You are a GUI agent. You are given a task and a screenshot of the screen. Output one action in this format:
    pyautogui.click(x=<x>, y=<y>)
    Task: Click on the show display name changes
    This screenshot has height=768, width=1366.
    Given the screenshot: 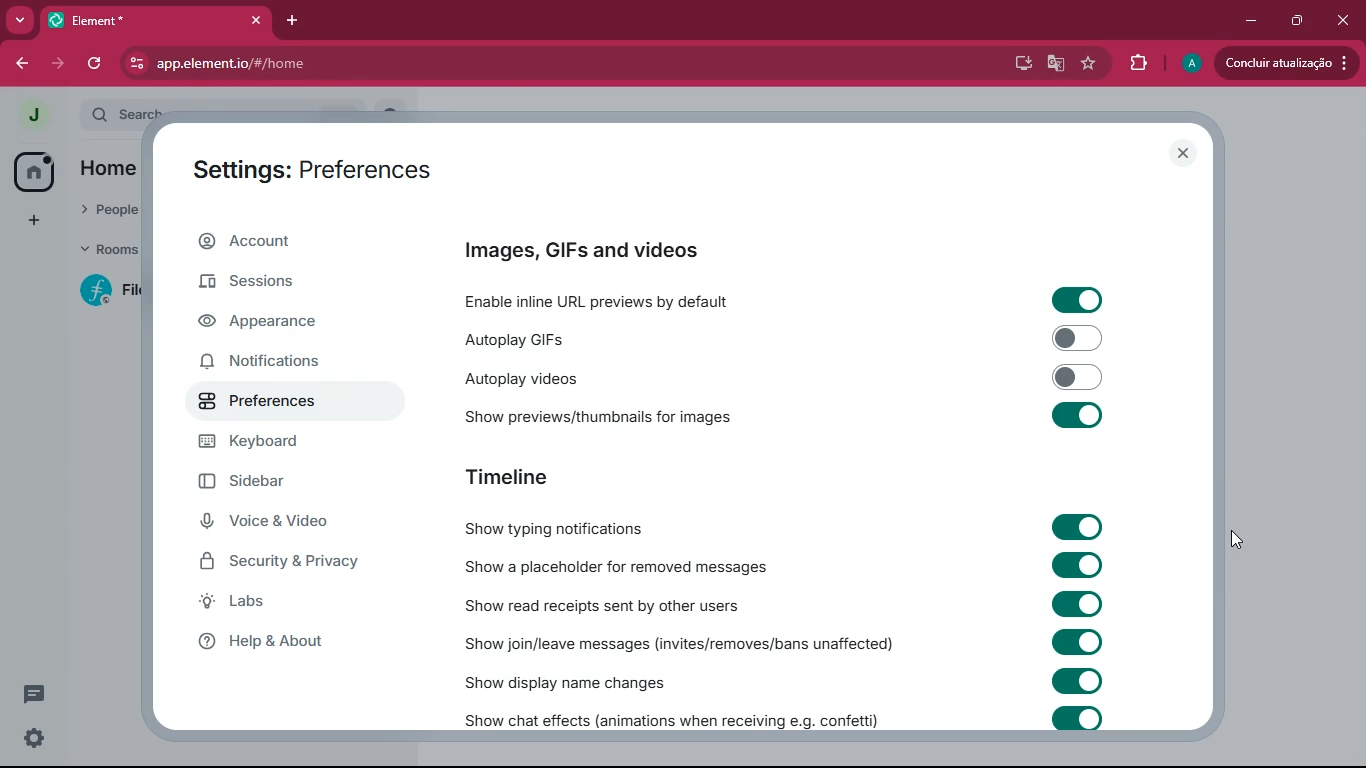 What is the action you would take?
    pyautogui.click(x=583, y=683)
    